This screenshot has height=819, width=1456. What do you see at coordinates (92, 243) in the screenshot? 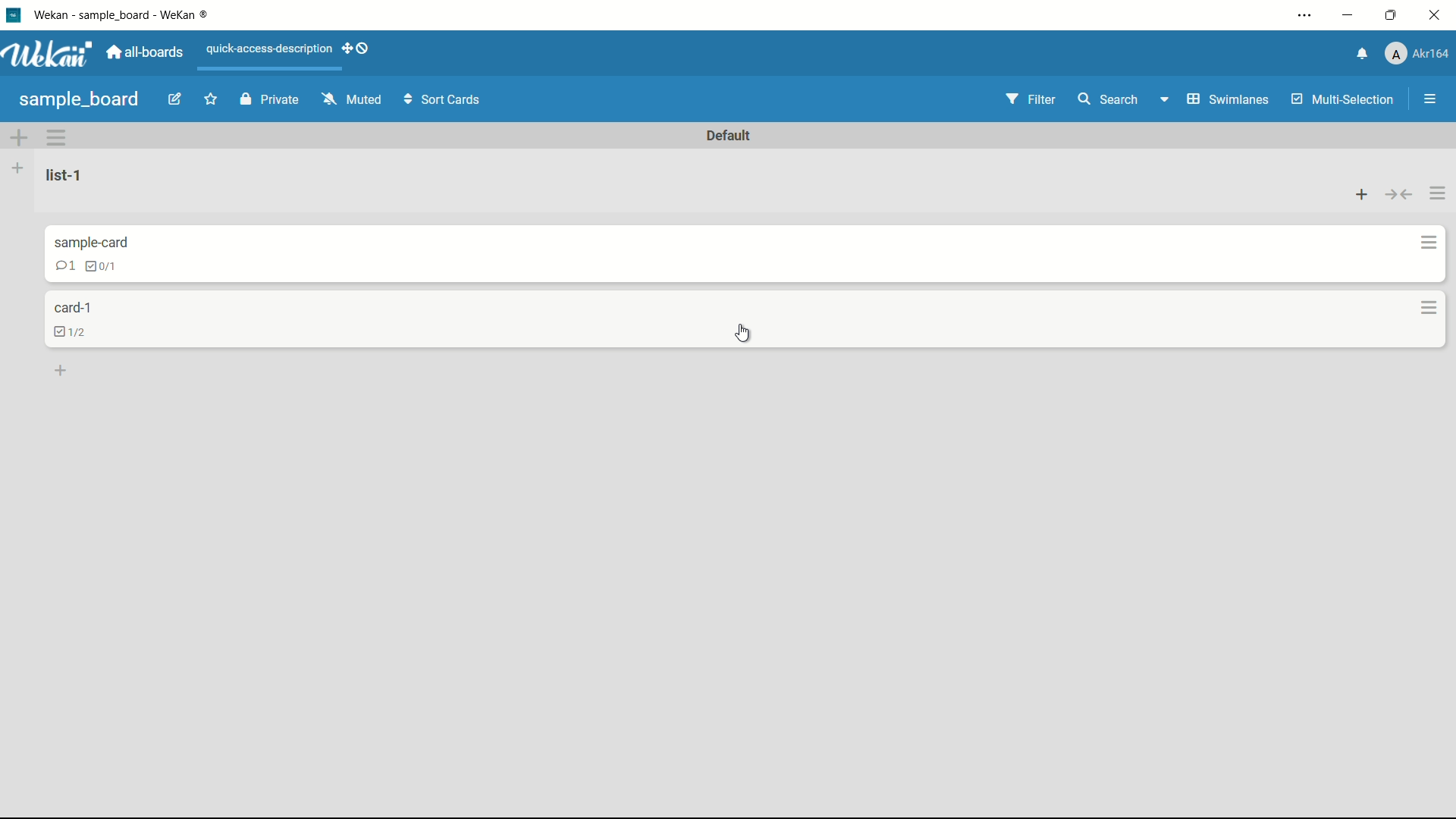
I see `card name` at bounding box center [92, 243].